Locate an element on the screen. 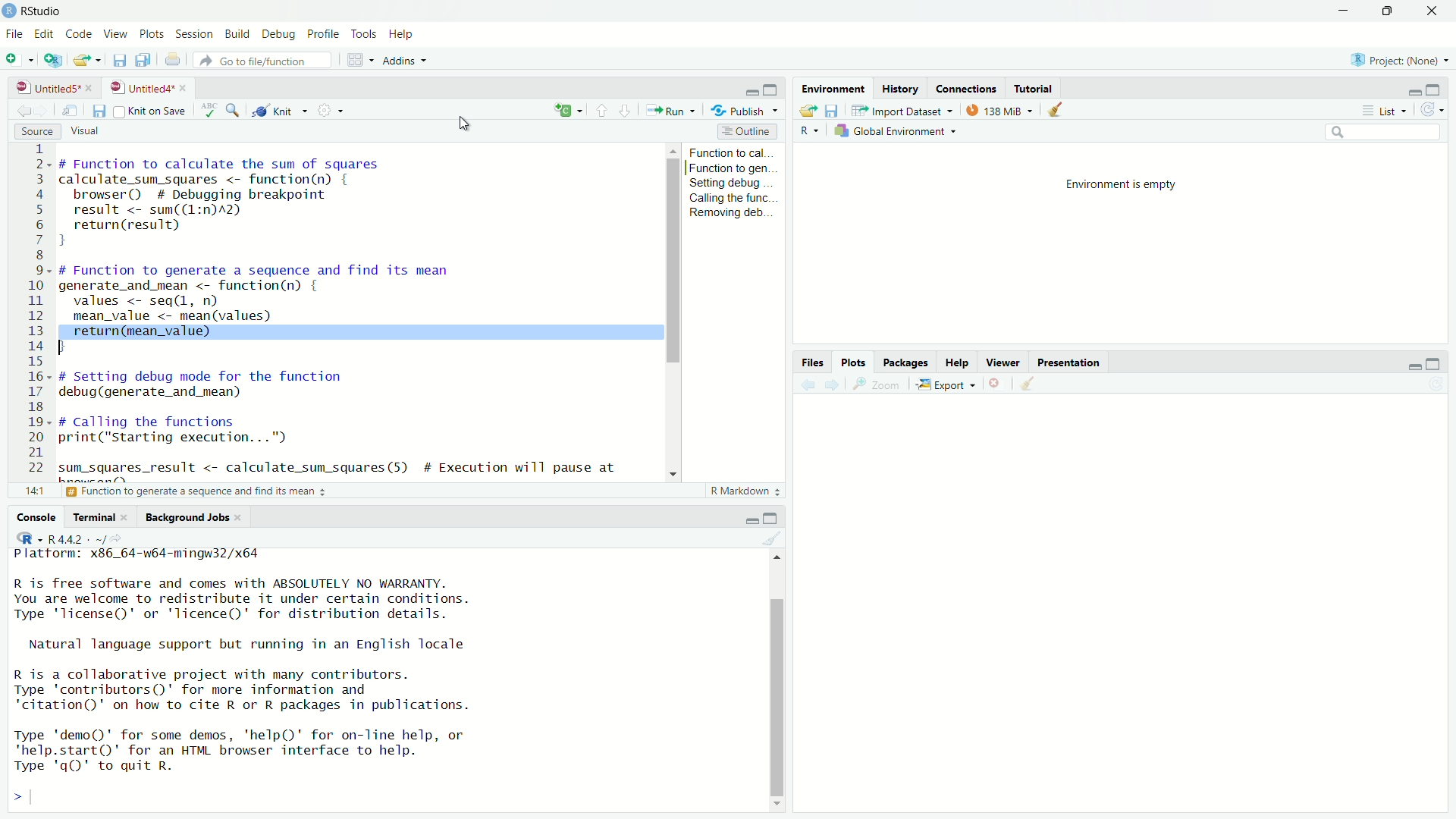 The image size is (1456, 819). scrollbar is located at coordinates (672, 310).